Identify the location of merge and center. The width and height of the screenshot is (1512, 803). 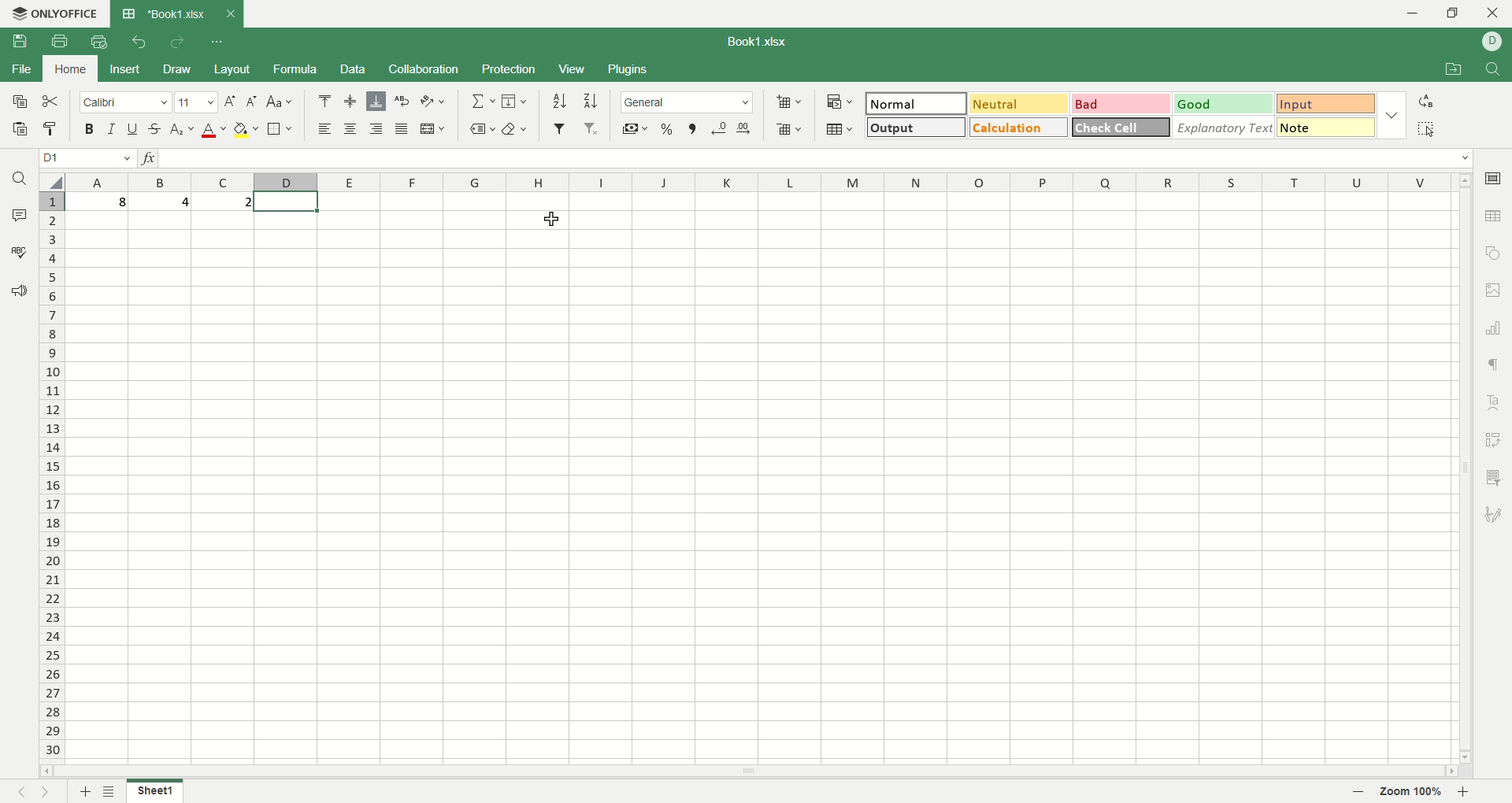
(434, 129).